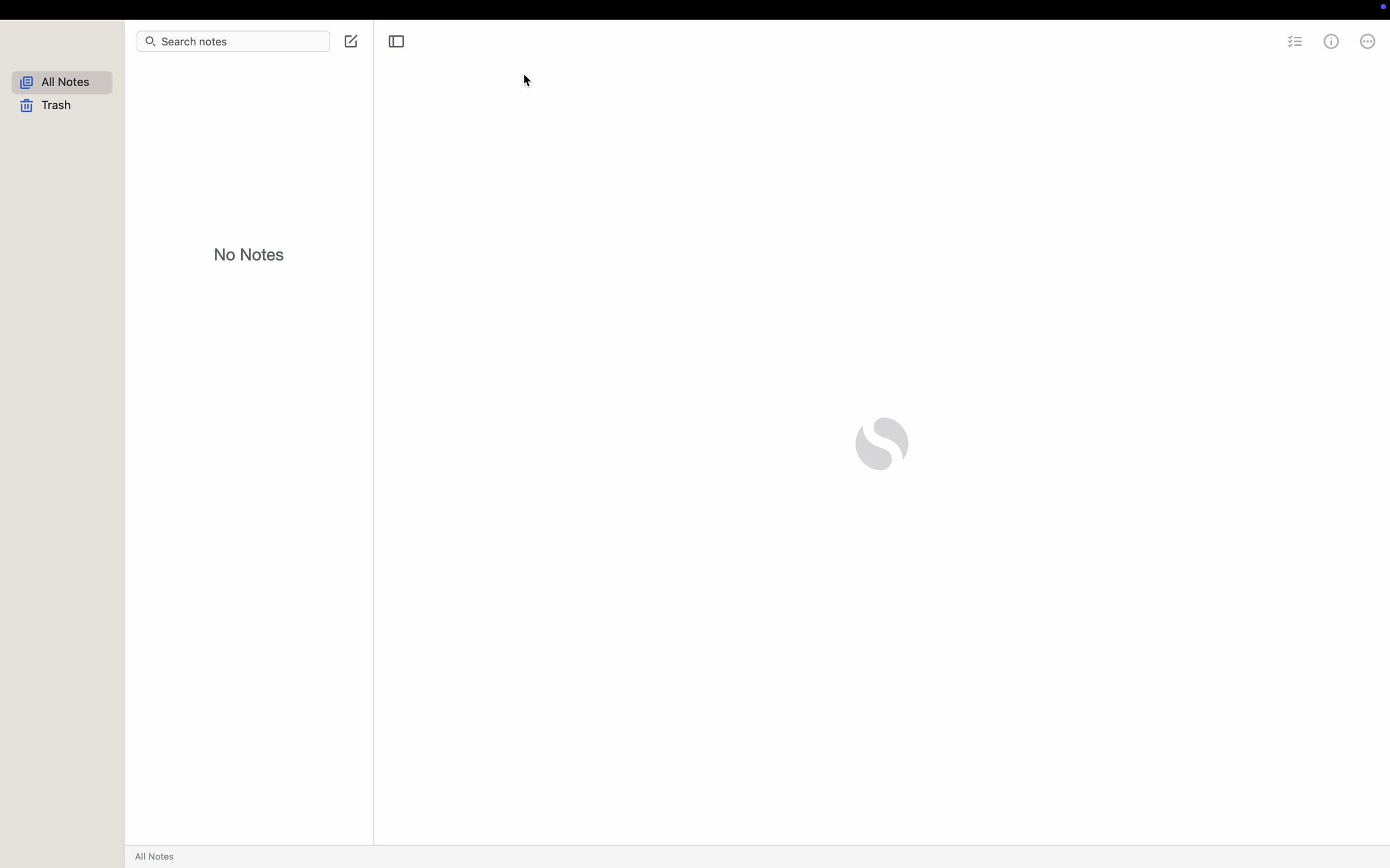  Describe the element at coordinates (158, 857) in the screenshot. I see `all notes` at that location.